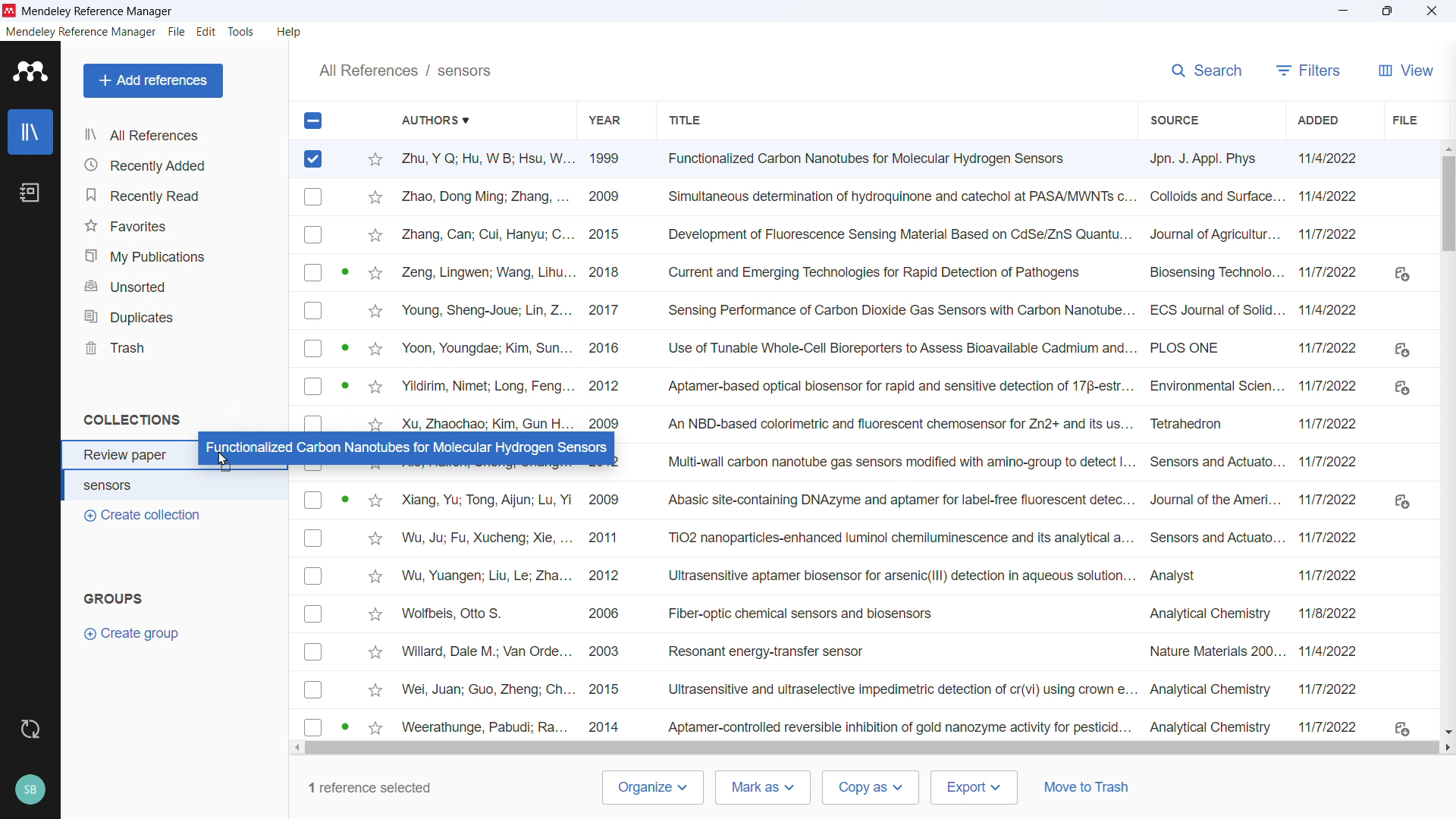  Describe the element at coordinates (313, 613) in the screenshot. I see `Select individual entries ` at that location.